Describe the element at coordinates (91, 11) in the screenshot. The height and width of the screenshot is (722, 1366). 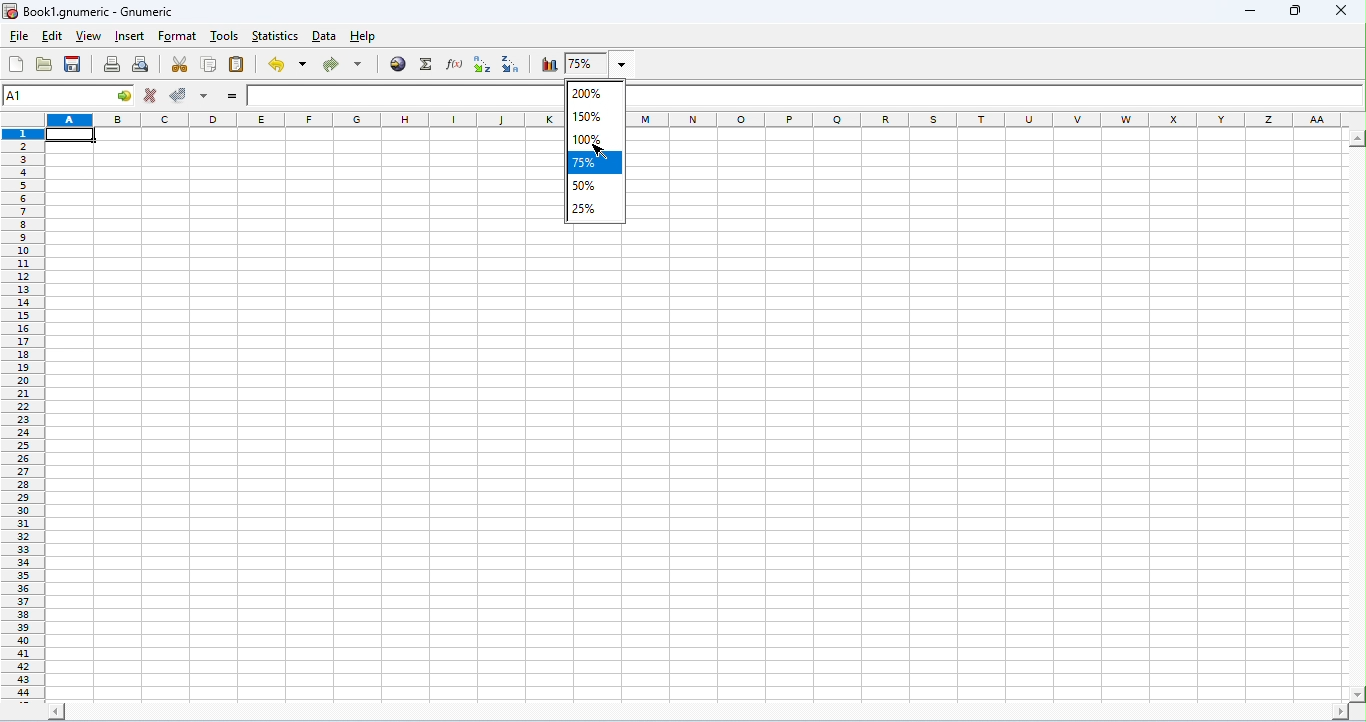
I see `Book1 gnumeric - Gnumeric` at that location.